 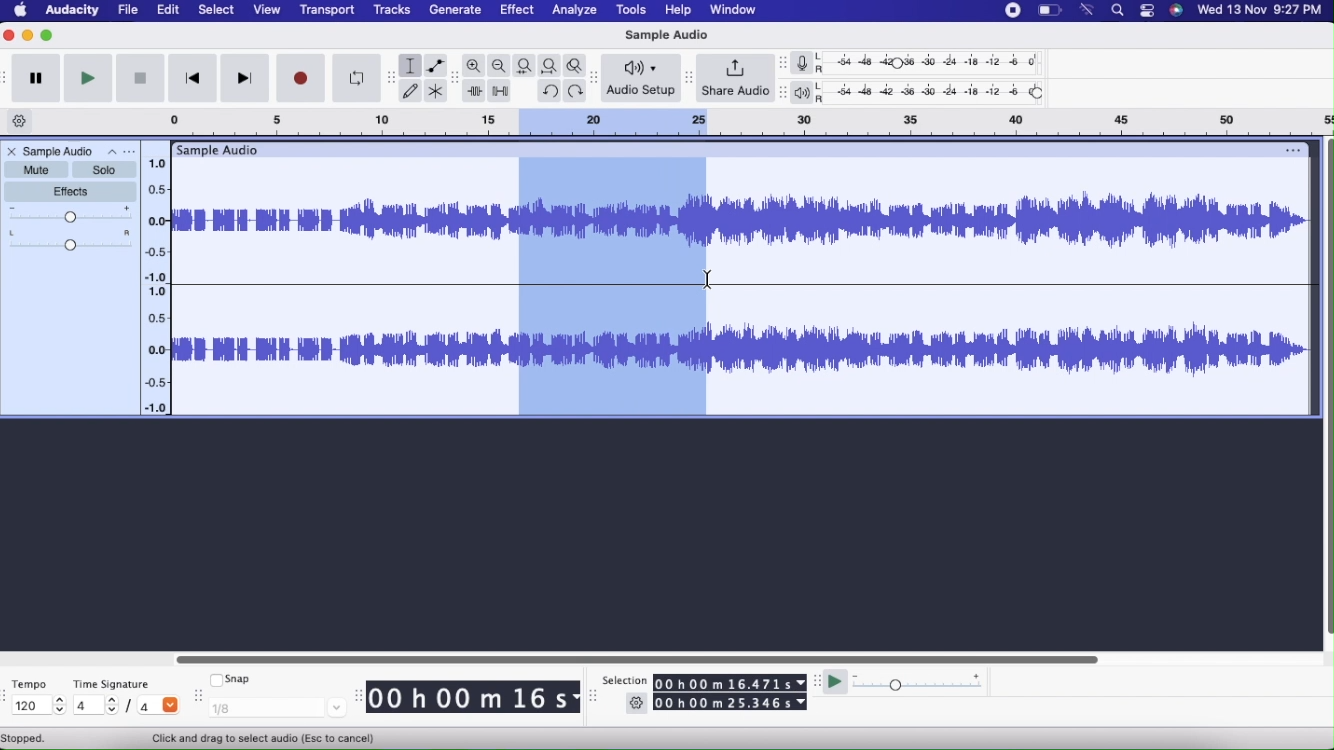 What do you see at coordinates (140, 80) in the screenshot?
I see `Stop` at bounding box center [140, 80].